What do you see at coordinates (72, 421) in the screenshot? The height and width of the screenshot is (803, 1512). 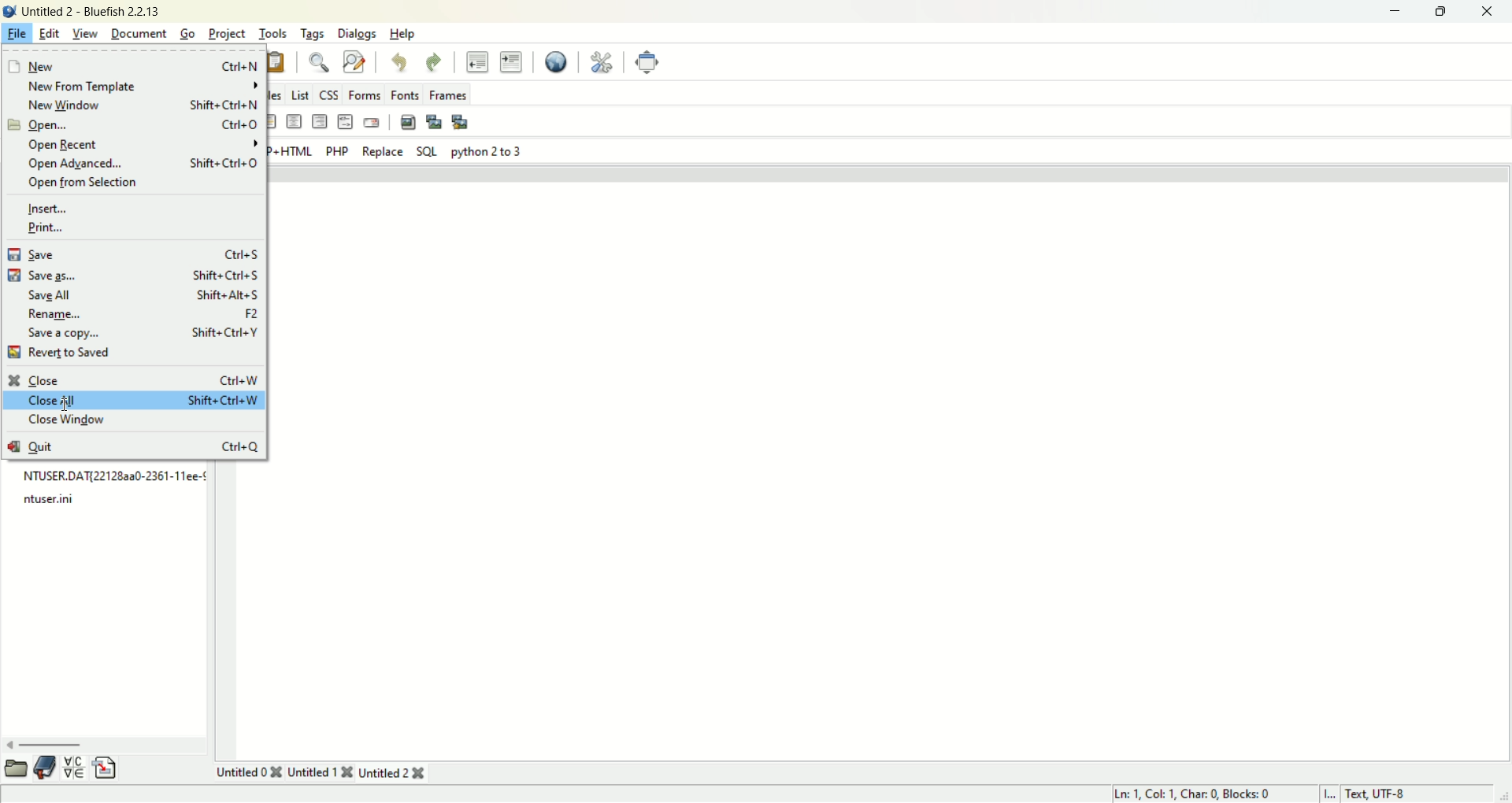 I see `close window` at bounding box center [72, 421].